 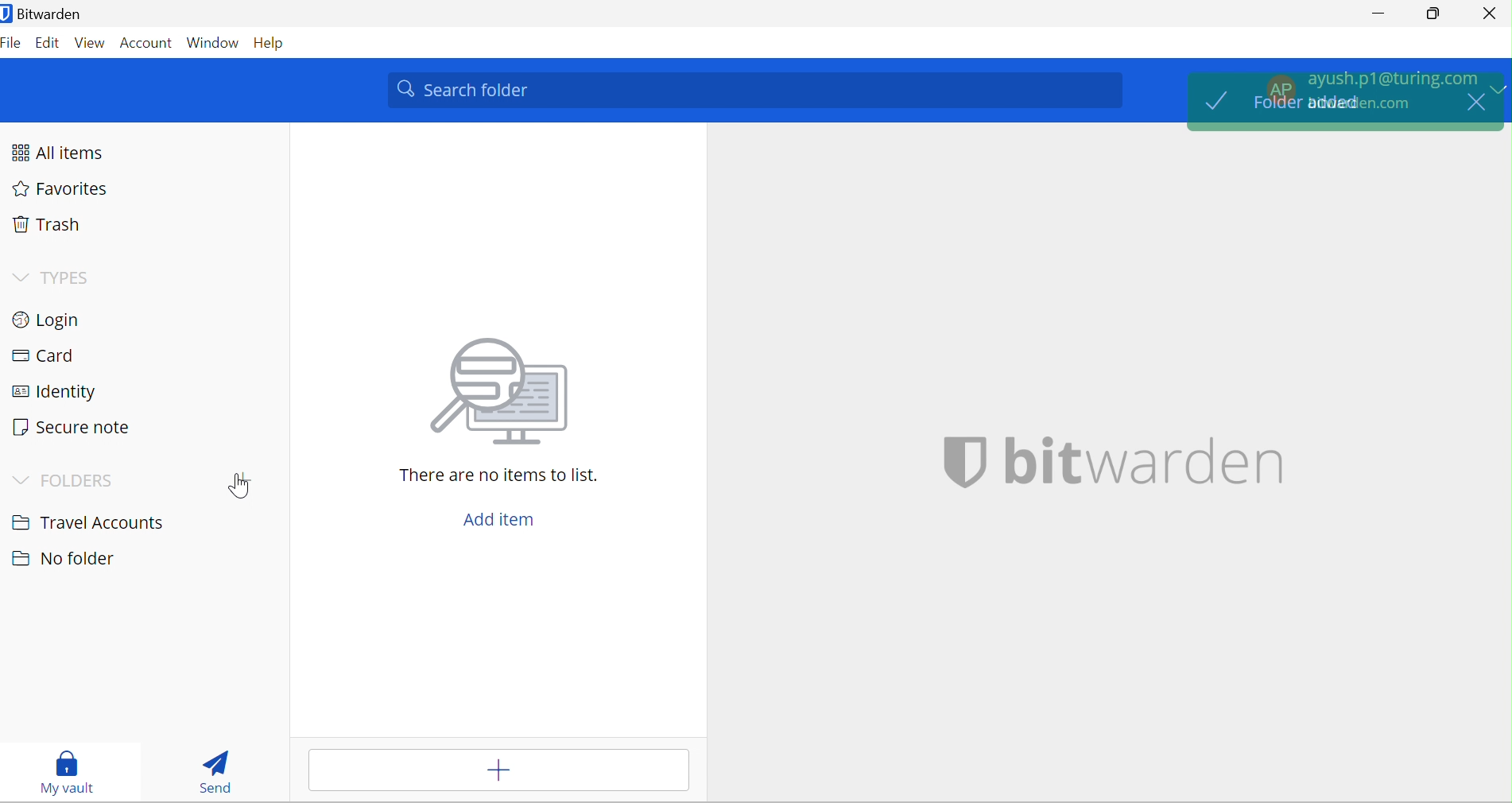 I want to click on Help, so click(x=273, y=43).